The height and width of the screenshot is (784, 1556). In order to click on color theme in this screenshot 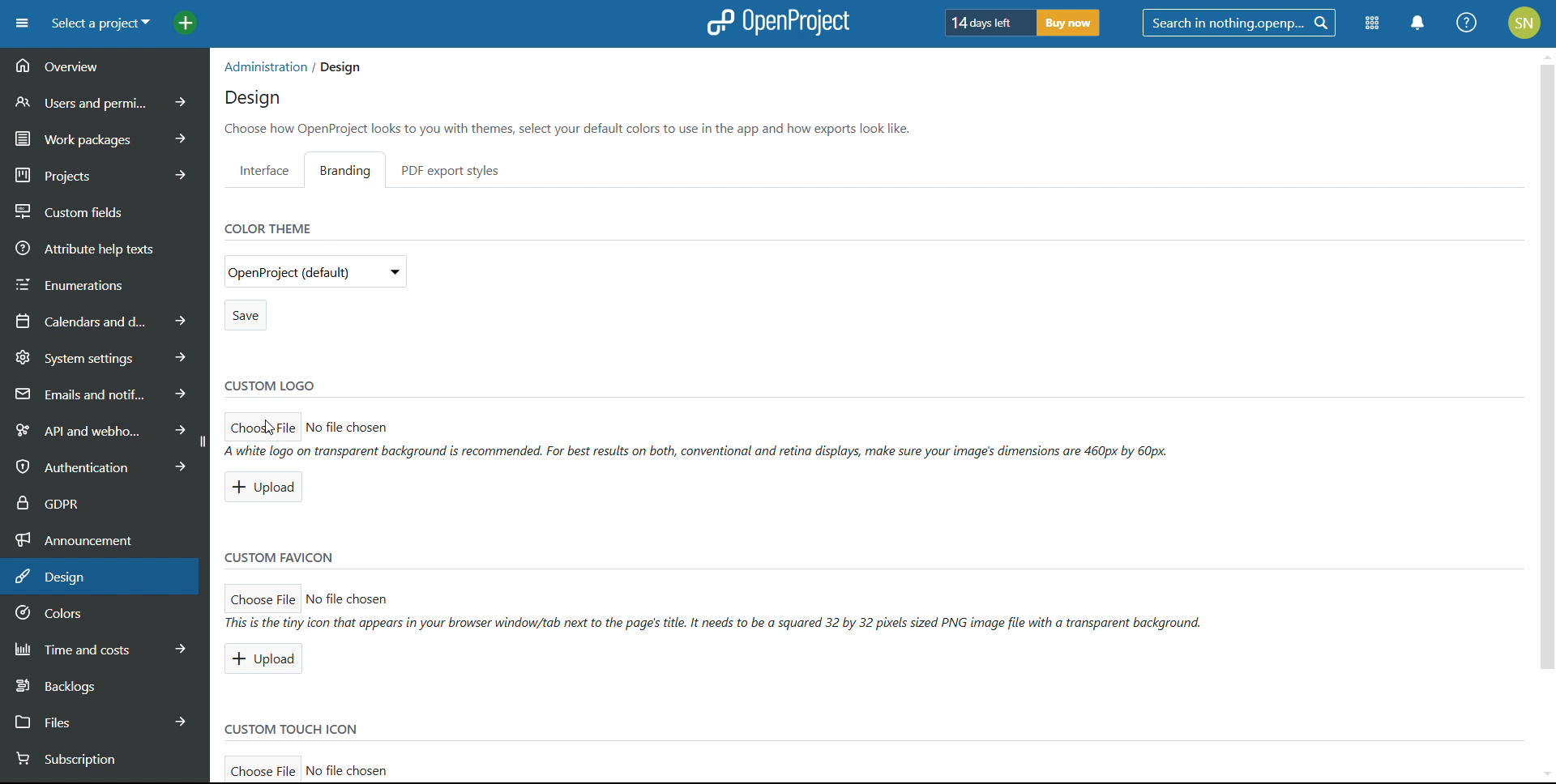, I will do `click(266, 228)`.